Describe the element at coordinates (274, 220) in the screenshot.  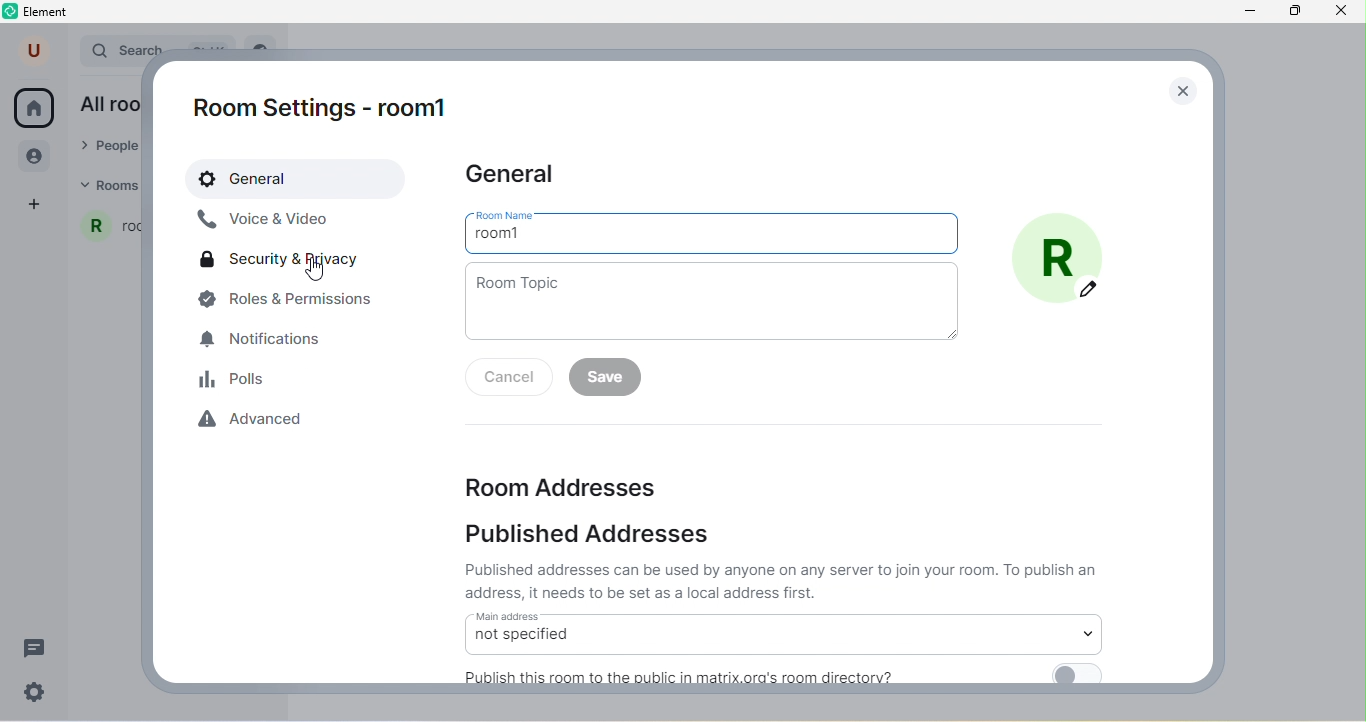
I see `voice & video` at that location.